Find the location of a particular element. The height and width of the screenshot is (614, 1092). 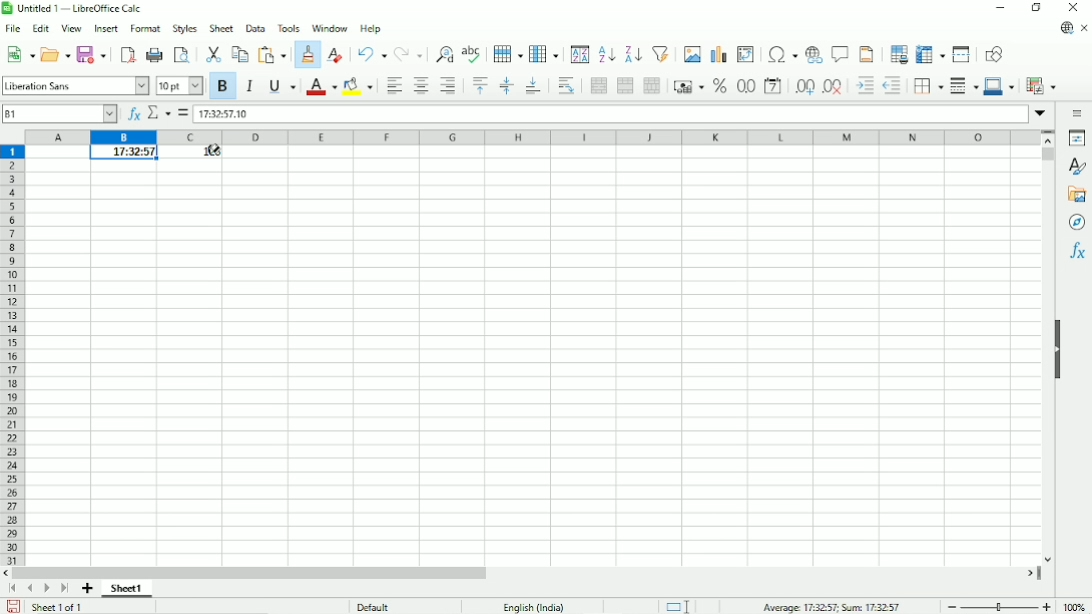

Decrease indent is located at coordinates (891, 85).